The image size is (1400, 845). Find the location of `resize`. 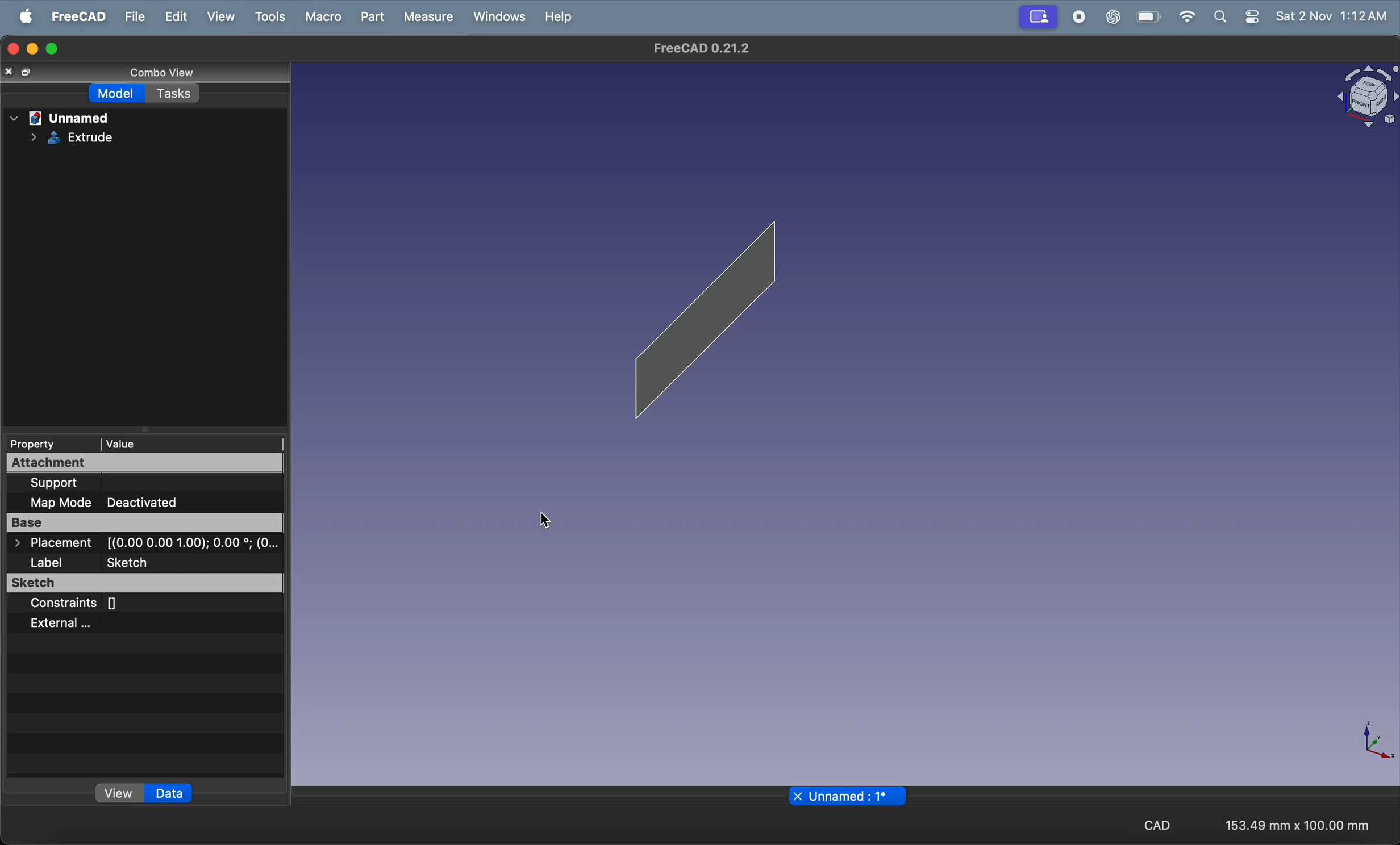

resize is located at coordinates (27, 72).